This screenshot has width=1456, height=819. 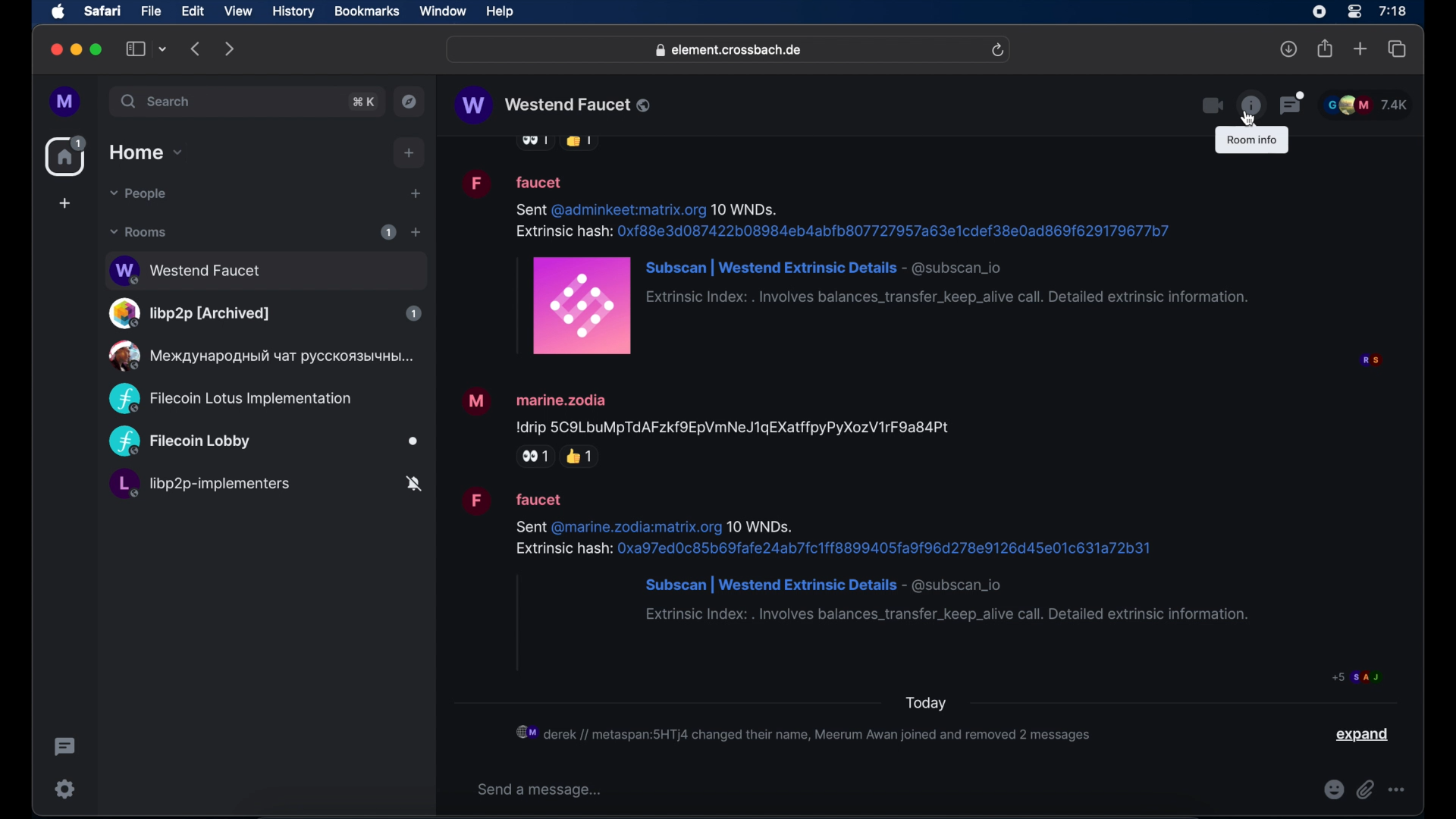 What do you see at coordinates (264, 442) in the screenshot?
I see `public room` at bounding box center [264, 442].